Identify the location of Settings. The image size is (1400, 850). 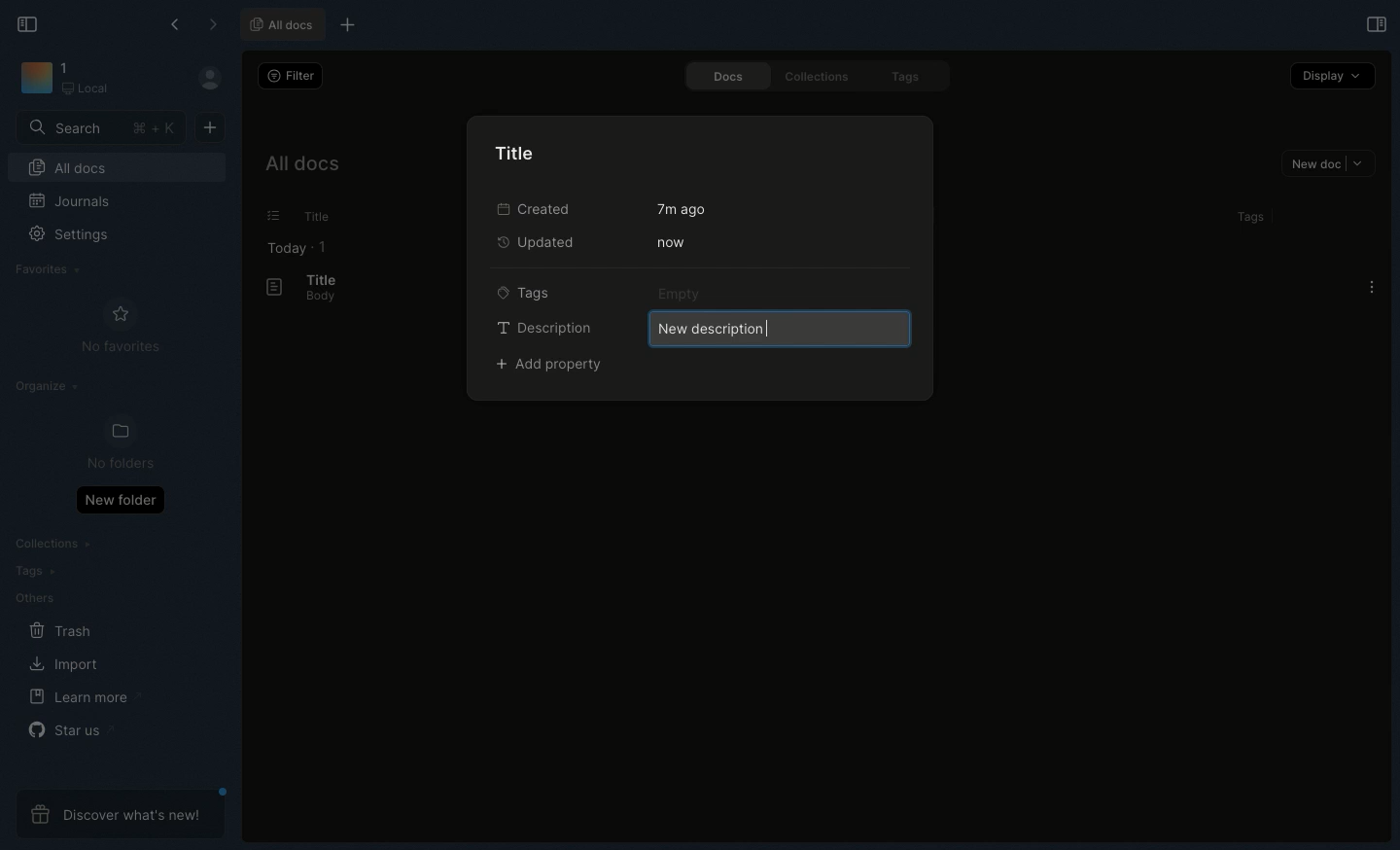
(80, 241).